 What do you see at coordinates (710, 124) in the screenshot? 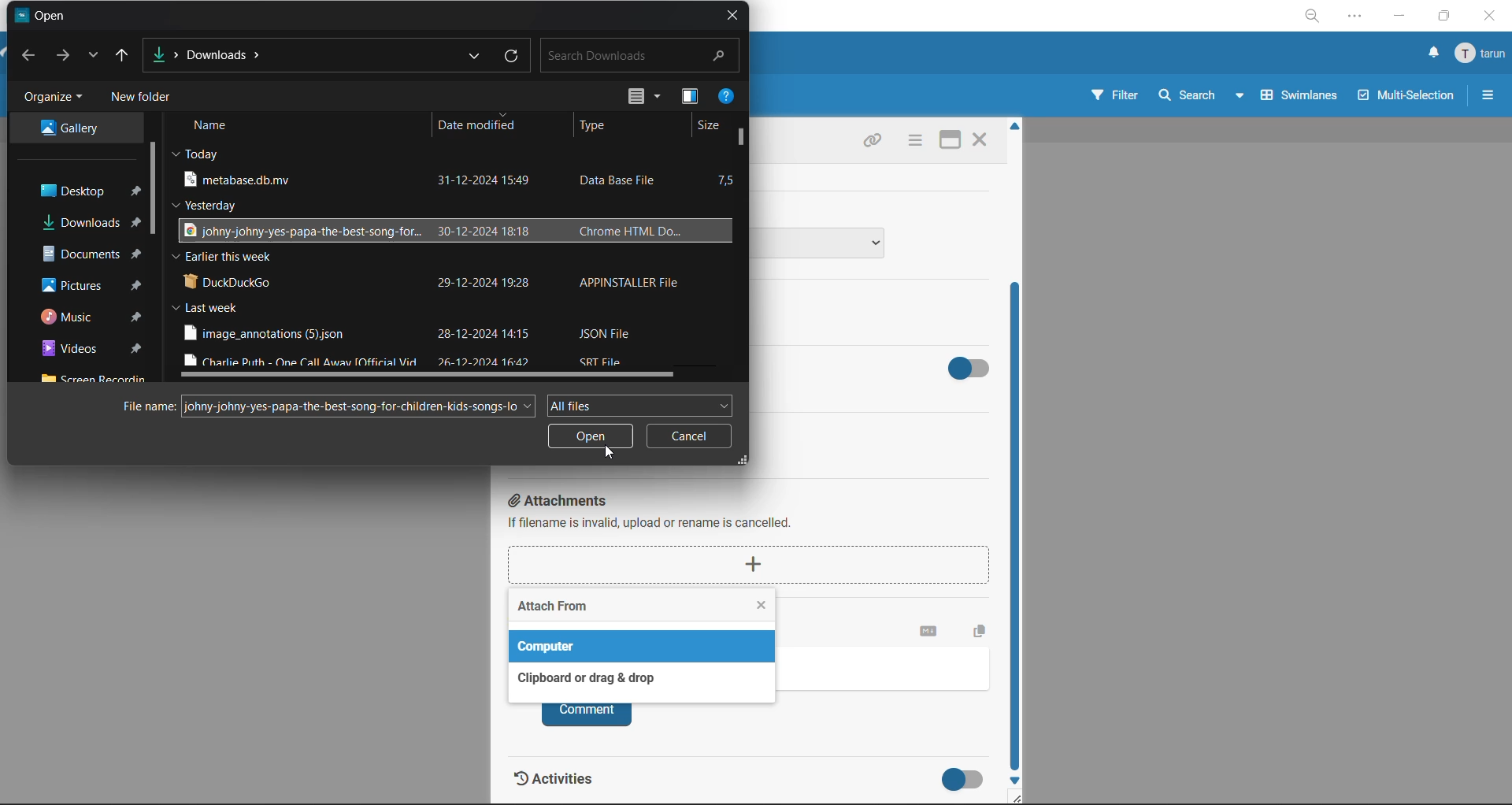
I see `size` at bounding box center [710, 124].